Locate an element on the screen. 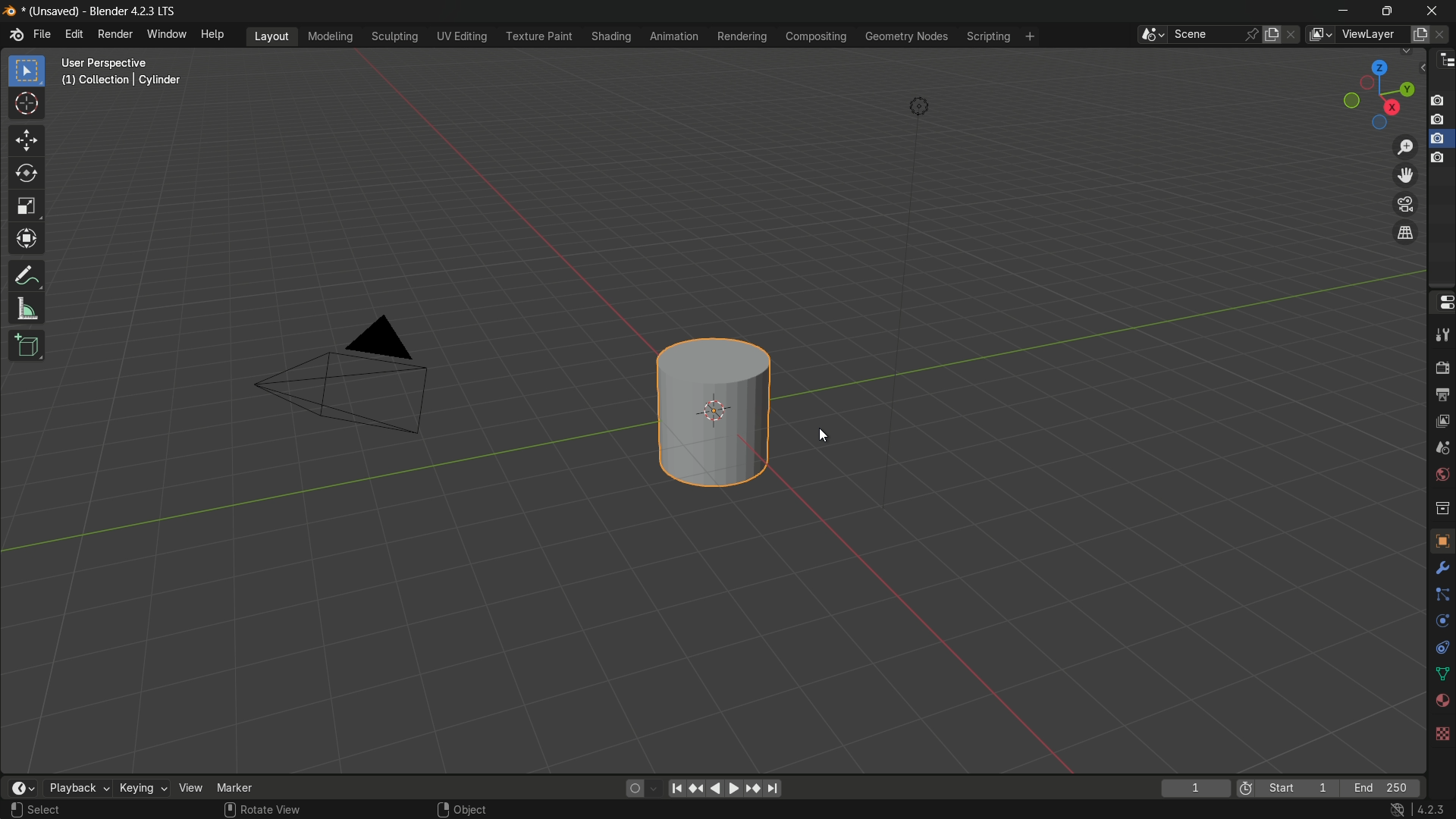  User Perspective is located at coordinates (123, 62).